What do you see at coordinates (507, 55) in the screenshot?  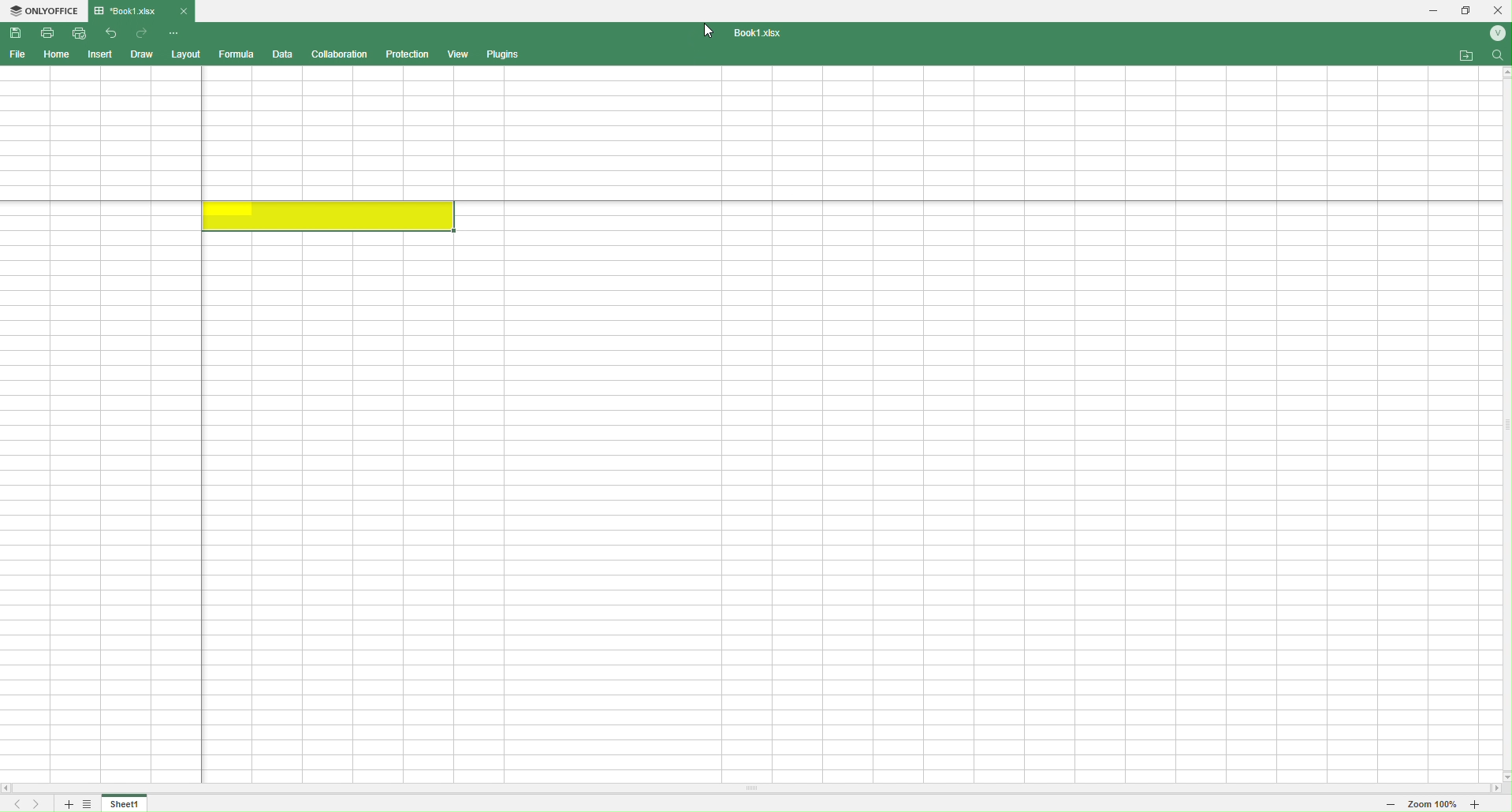 I see `Plugins` at bounding box center [507, 55].